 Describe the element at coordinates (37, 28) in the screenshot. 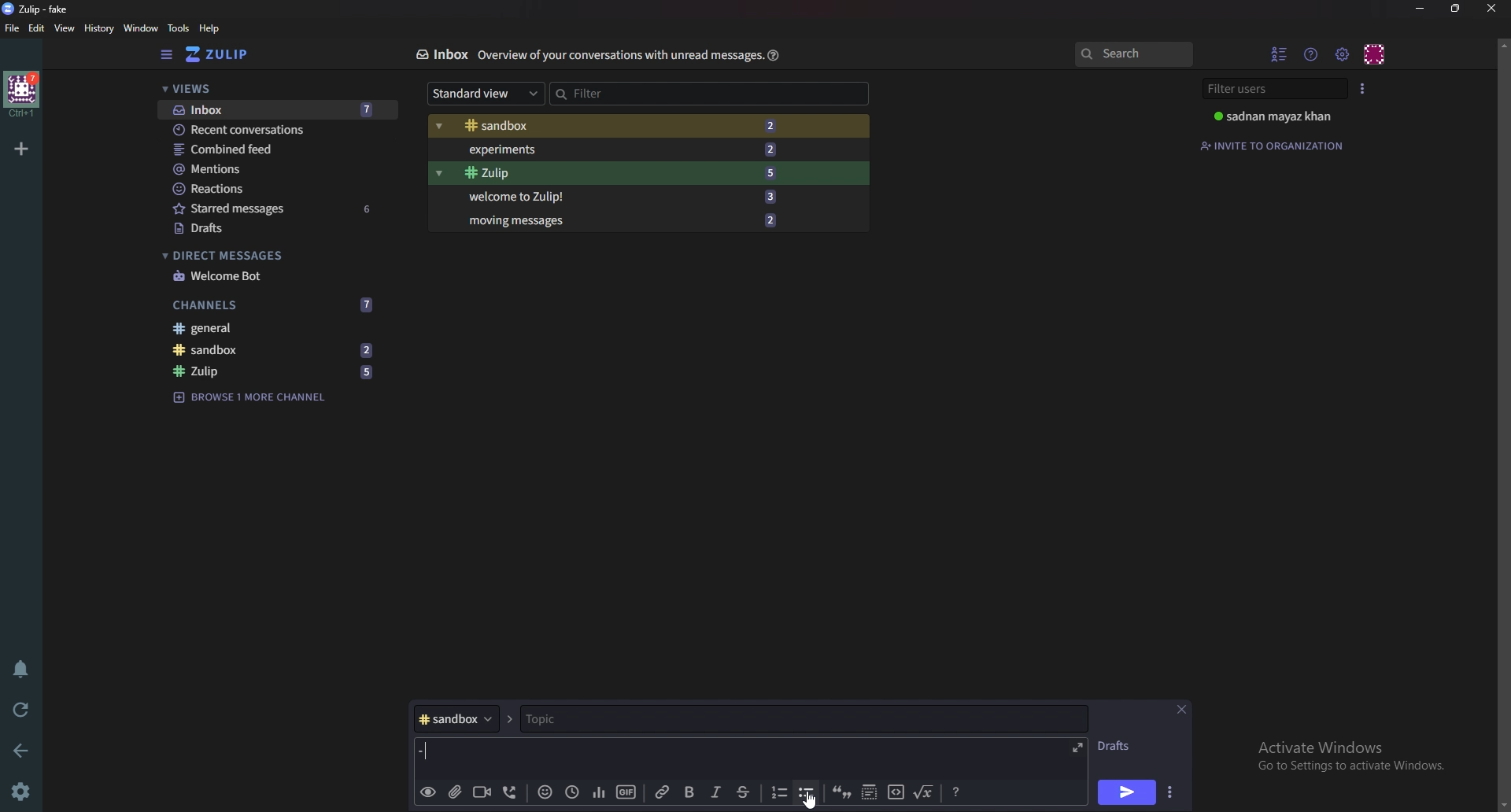

I see `Edit` at that location.